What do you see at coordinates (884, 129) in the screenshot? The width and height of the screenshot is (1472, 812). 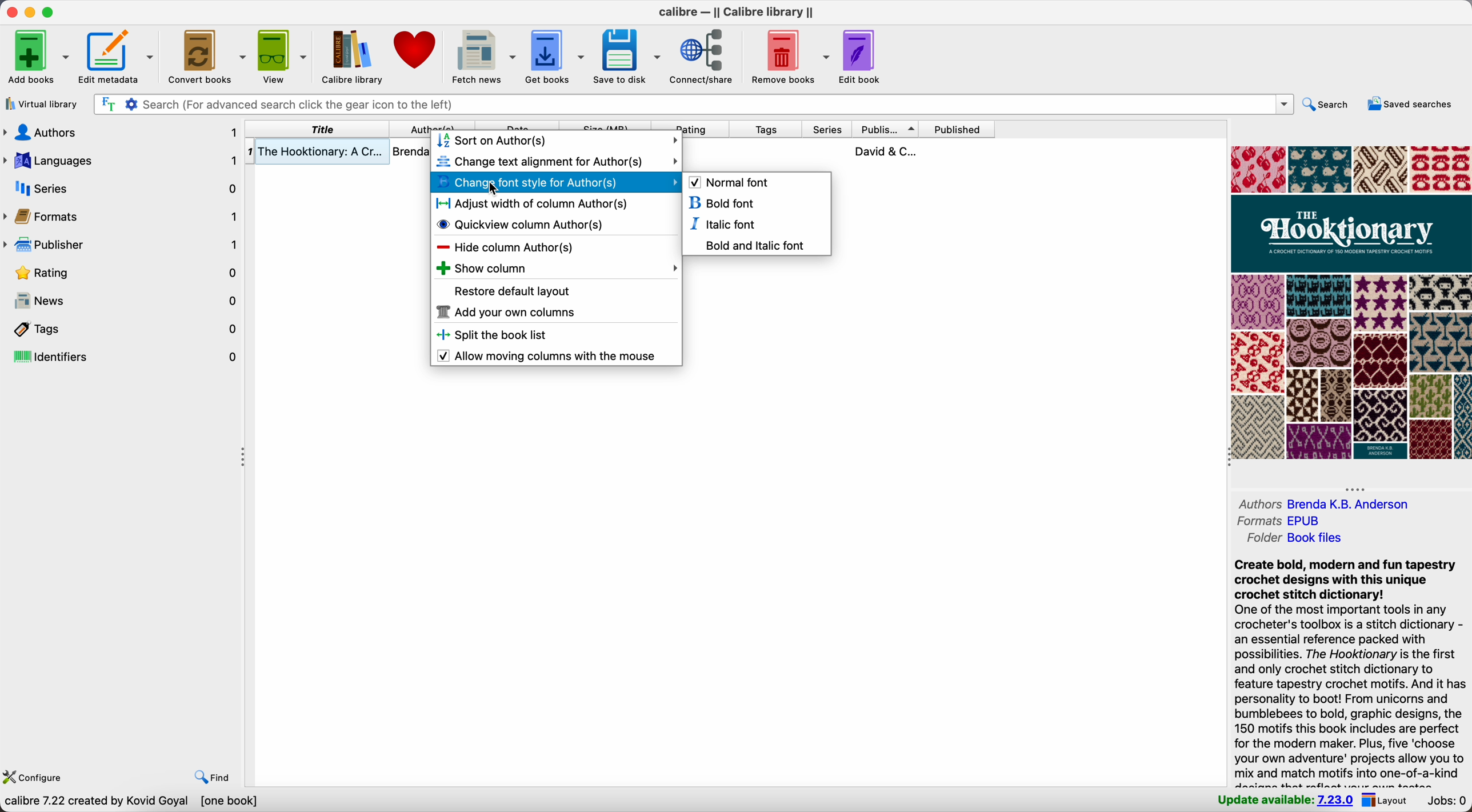 I see `publisher` at bounding box center [884, 129].